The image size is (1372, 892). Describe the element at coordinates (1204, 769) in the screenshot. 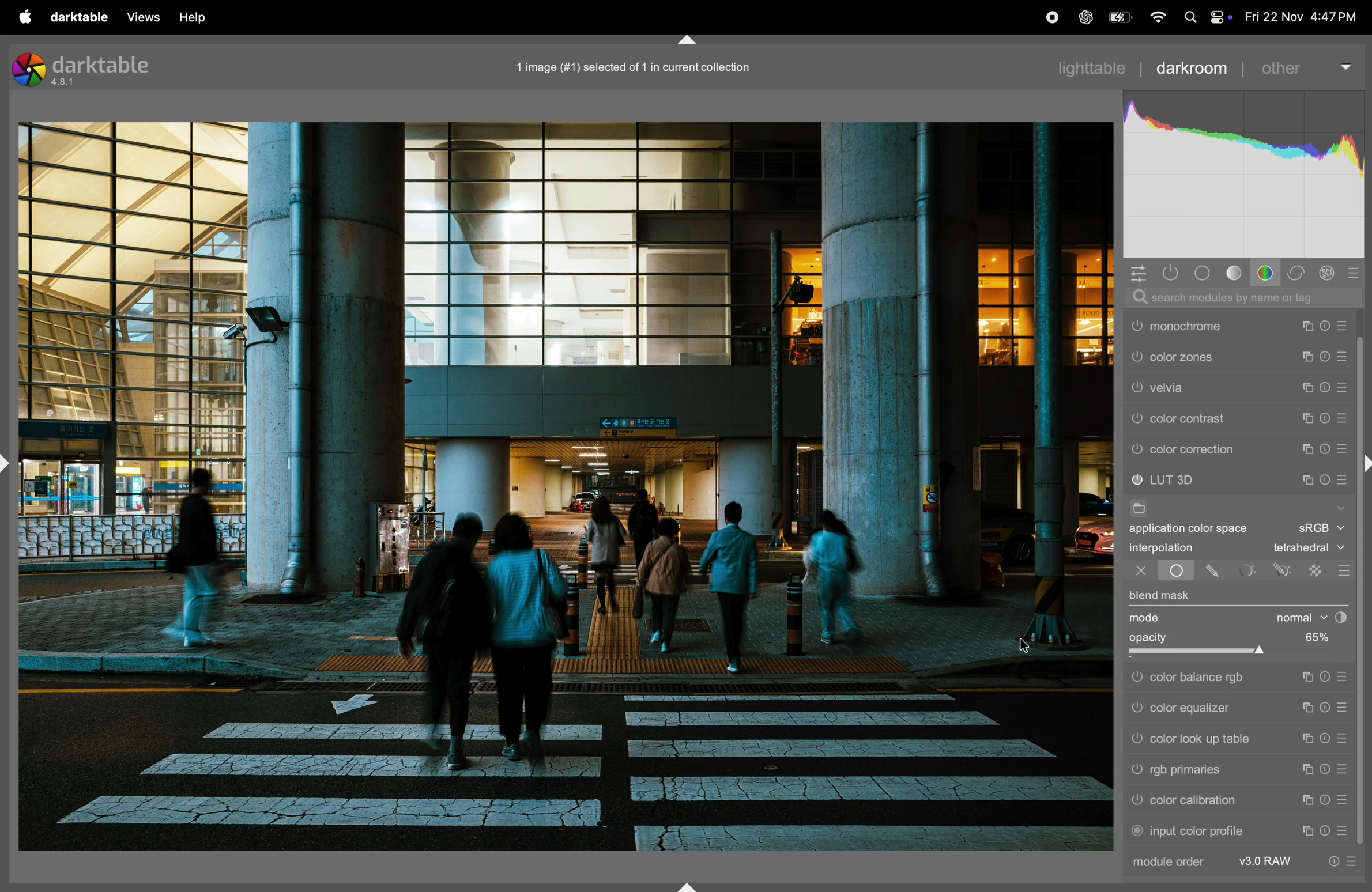

I see `rgb primaries` at that location.